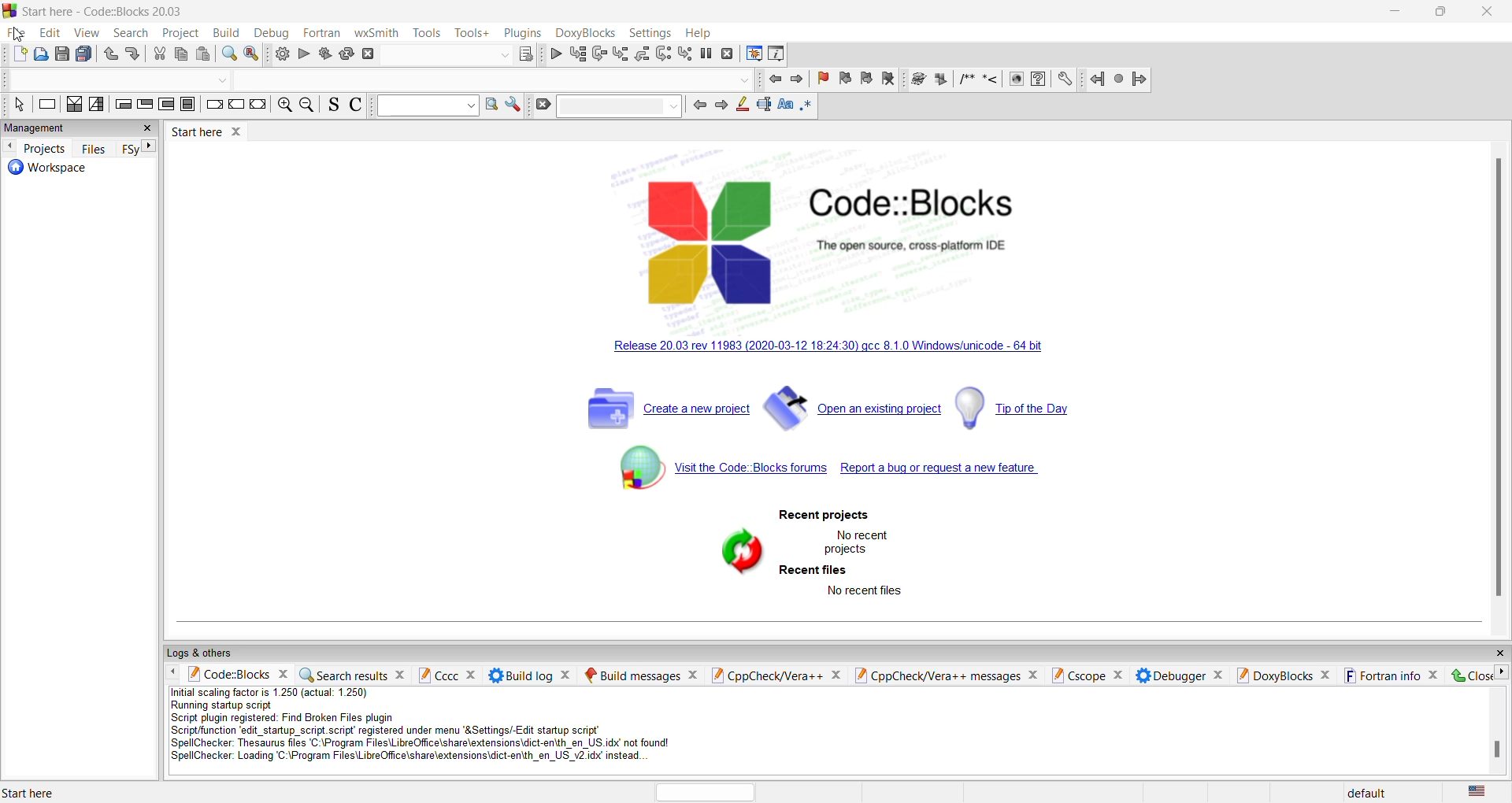  I want to click on jump forward, so click(797, 80).